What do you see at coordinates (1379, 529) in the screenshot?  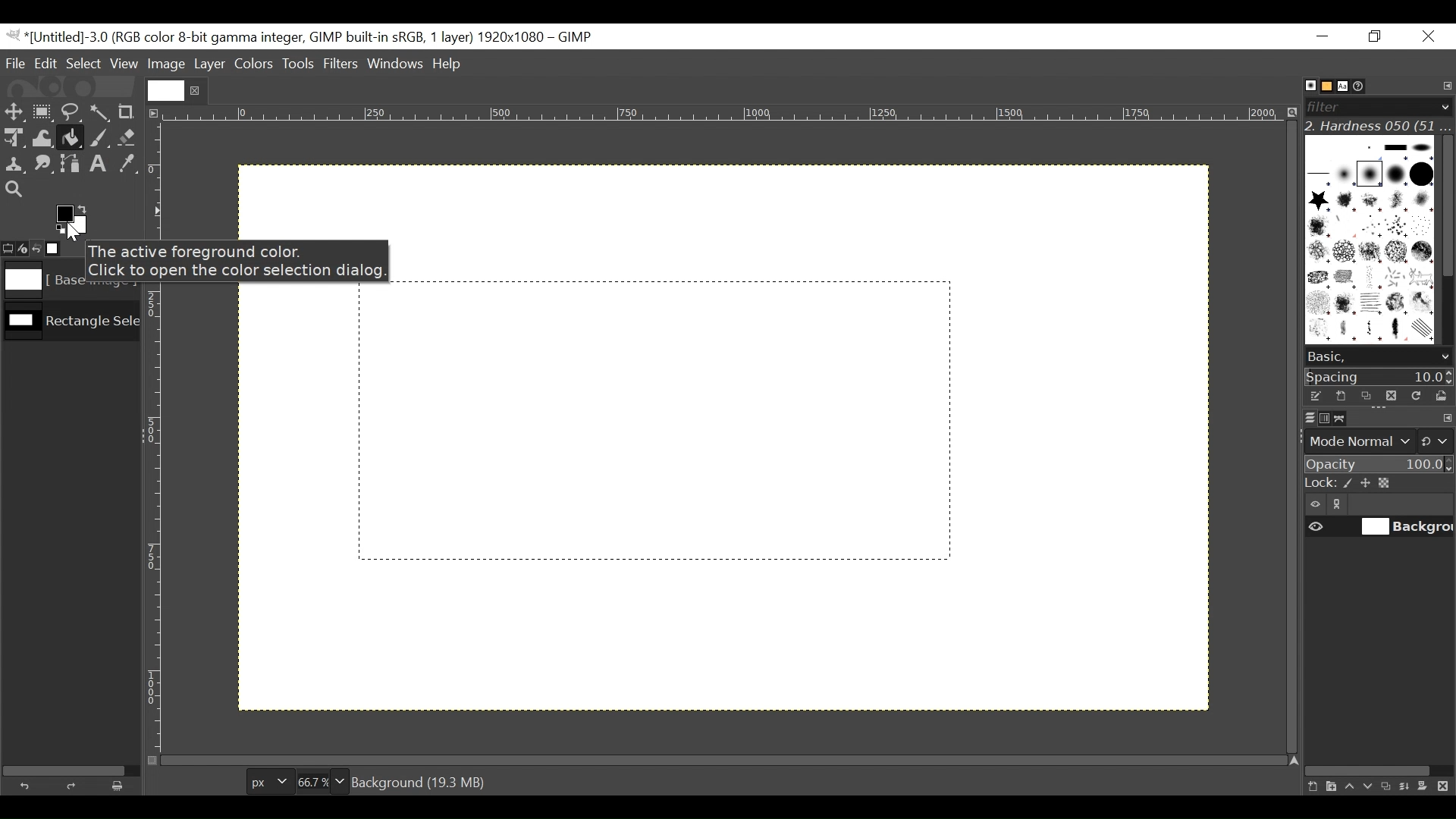 I see `(un)select item visibility background` at bounding box center [1379, 529].